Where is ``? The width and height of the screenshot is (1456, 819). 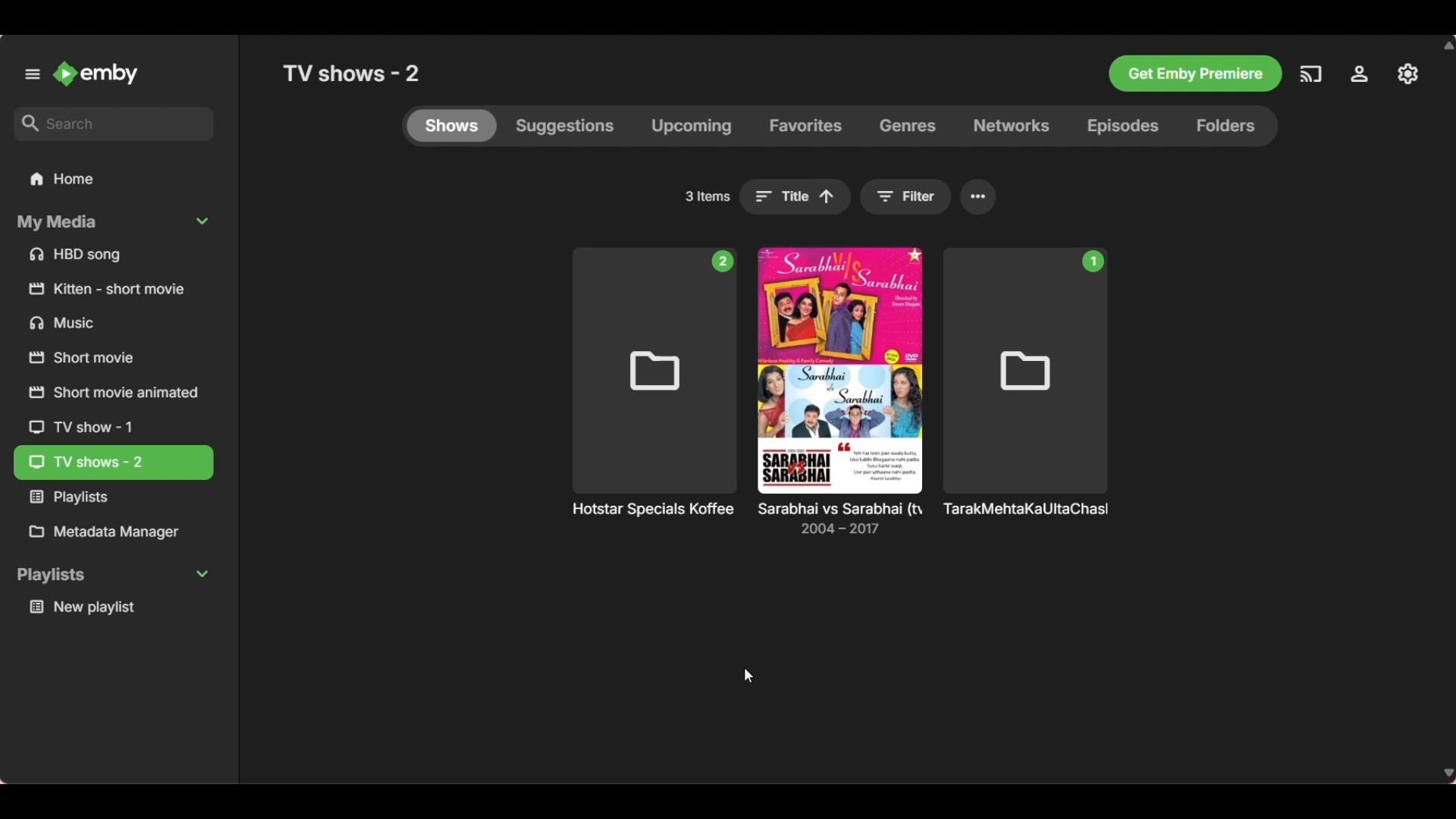  is located at coordinates (1025, 382).